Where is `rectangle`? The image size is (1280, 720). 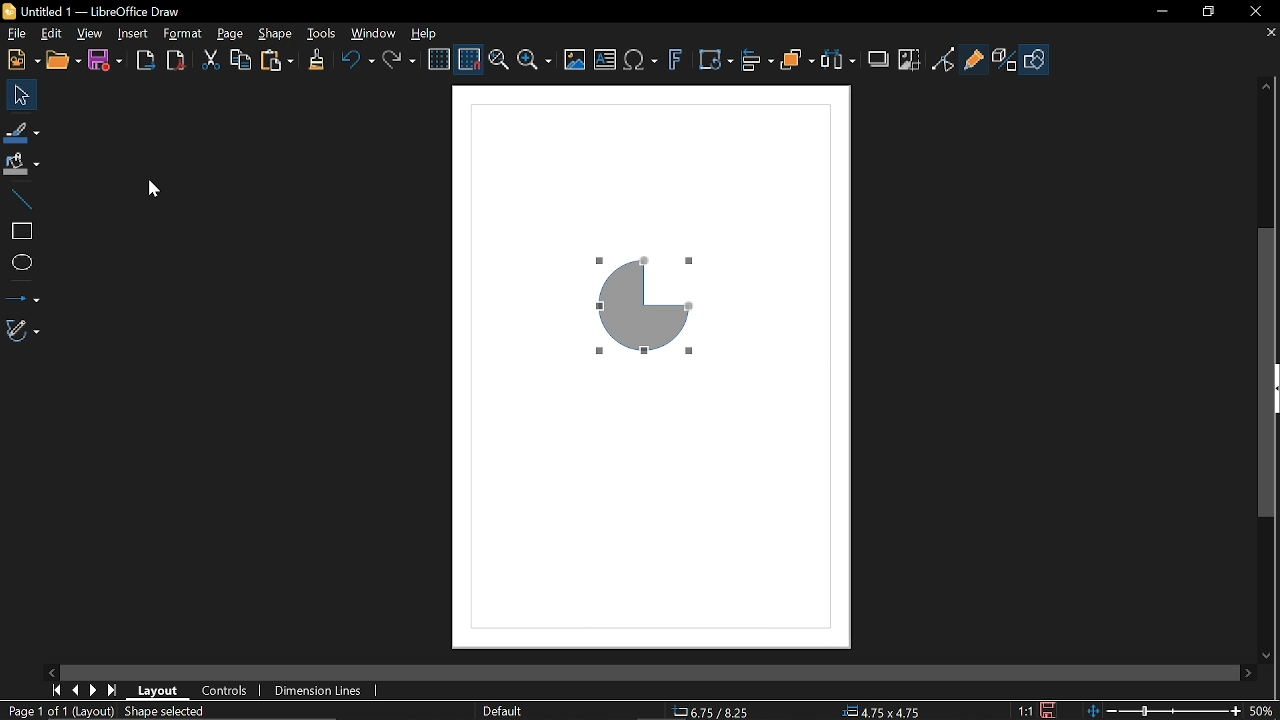 rectangle is located at coordinates (18, 232).